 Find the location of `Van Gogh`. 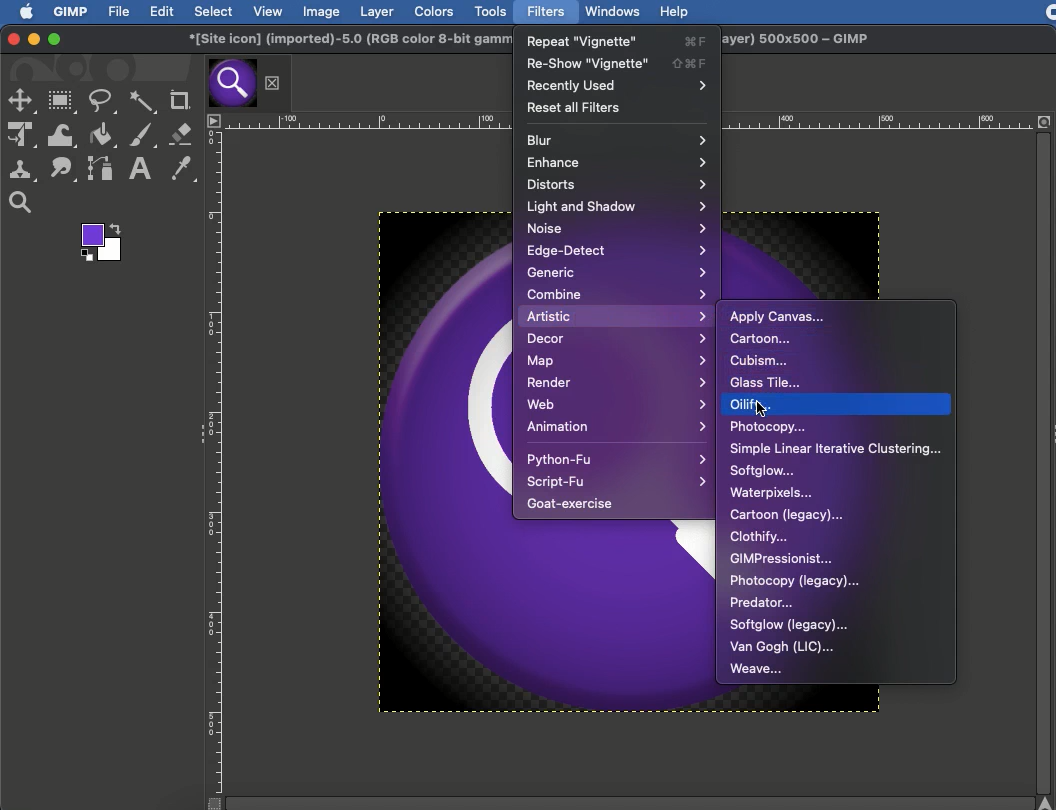

Van Gogh is located at coordinates (782, 648).